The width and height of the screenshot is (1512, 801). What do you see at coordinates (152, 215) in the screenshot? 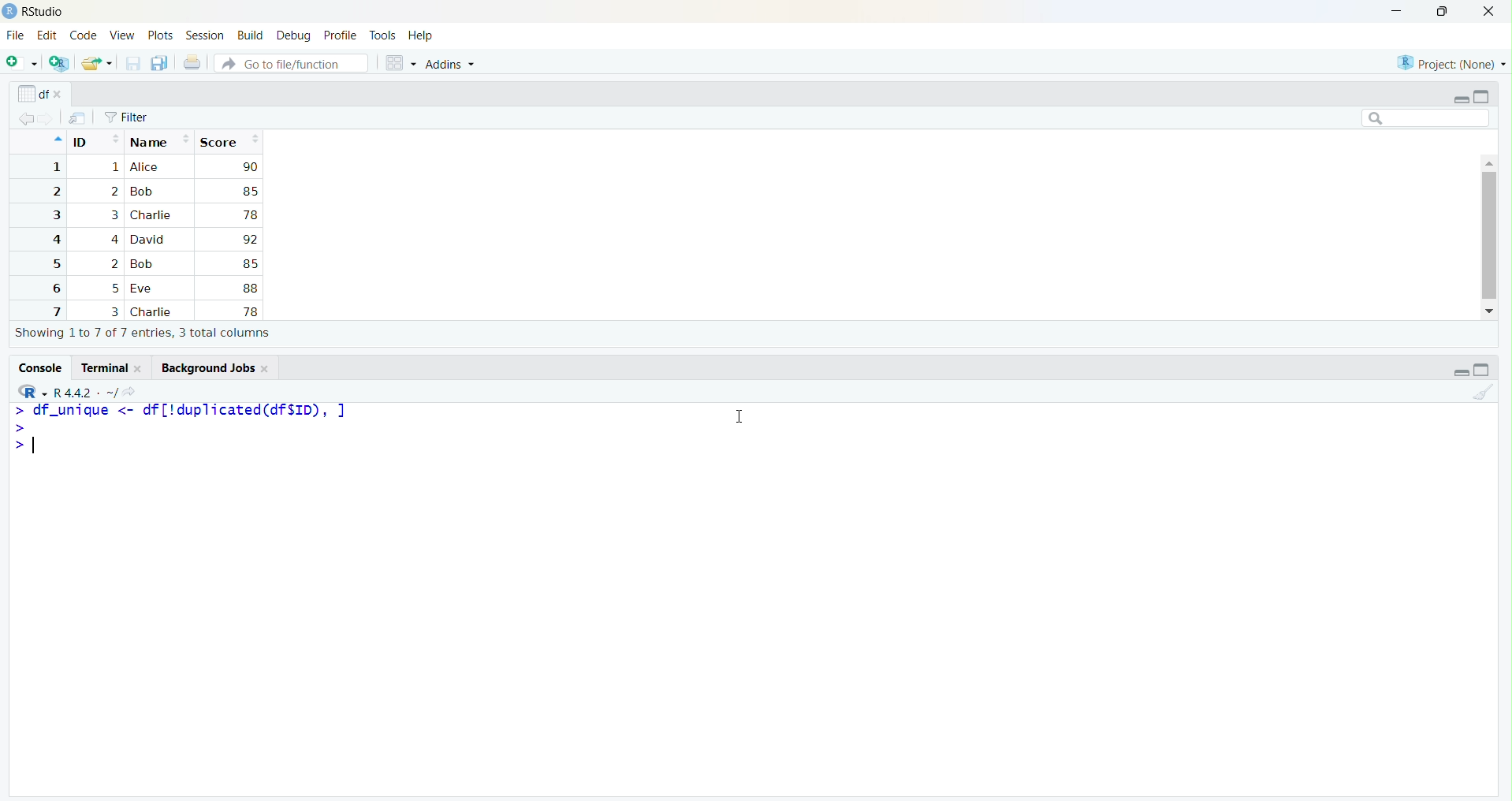
I see `Charlie` at bounding box center [152, 215].